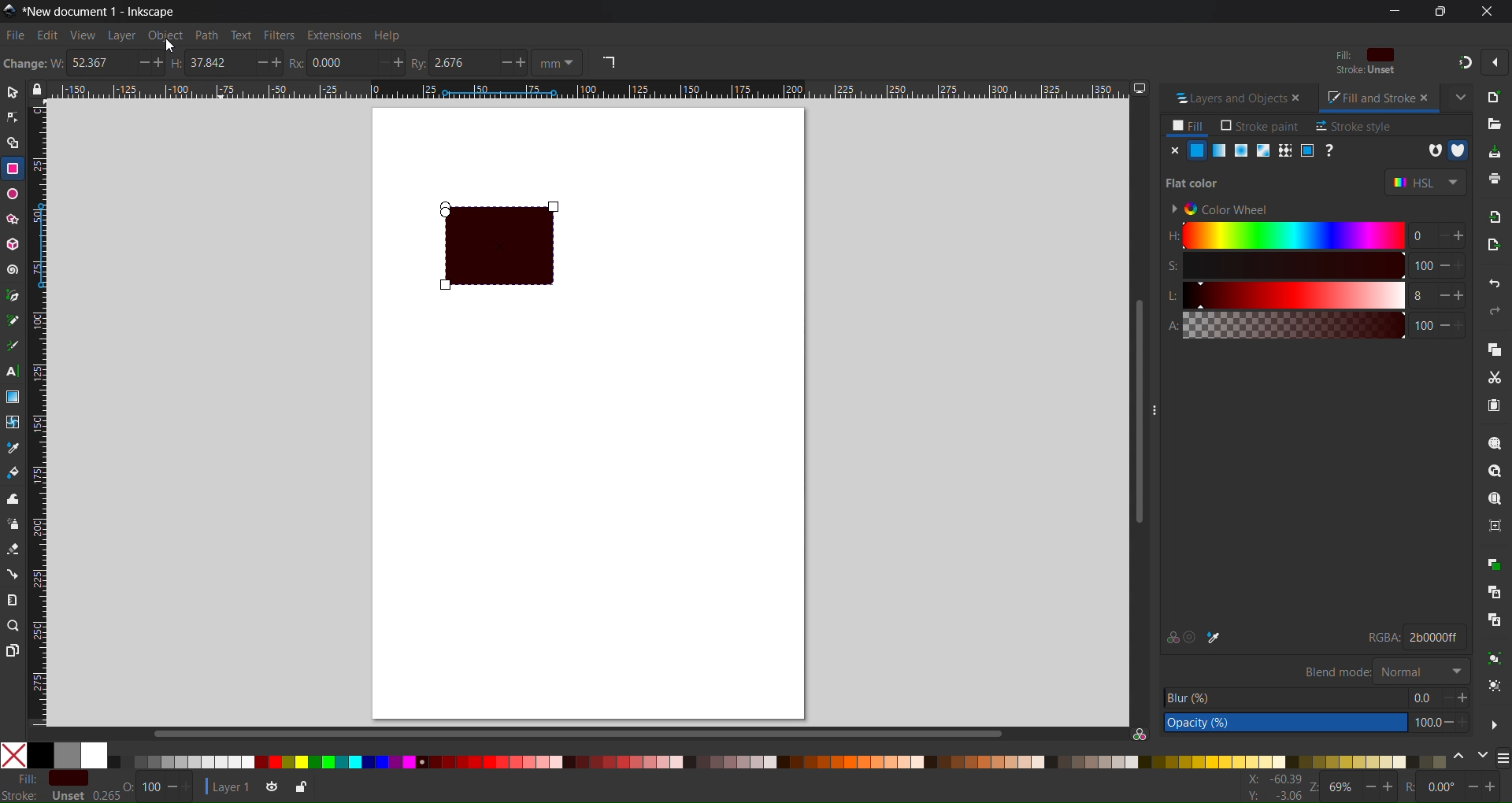 The height and width of the screenshot is (803, 1512). Describe the element at coordinates (503, 64) in the screenshot. I see `Minimize the radius` at that location.